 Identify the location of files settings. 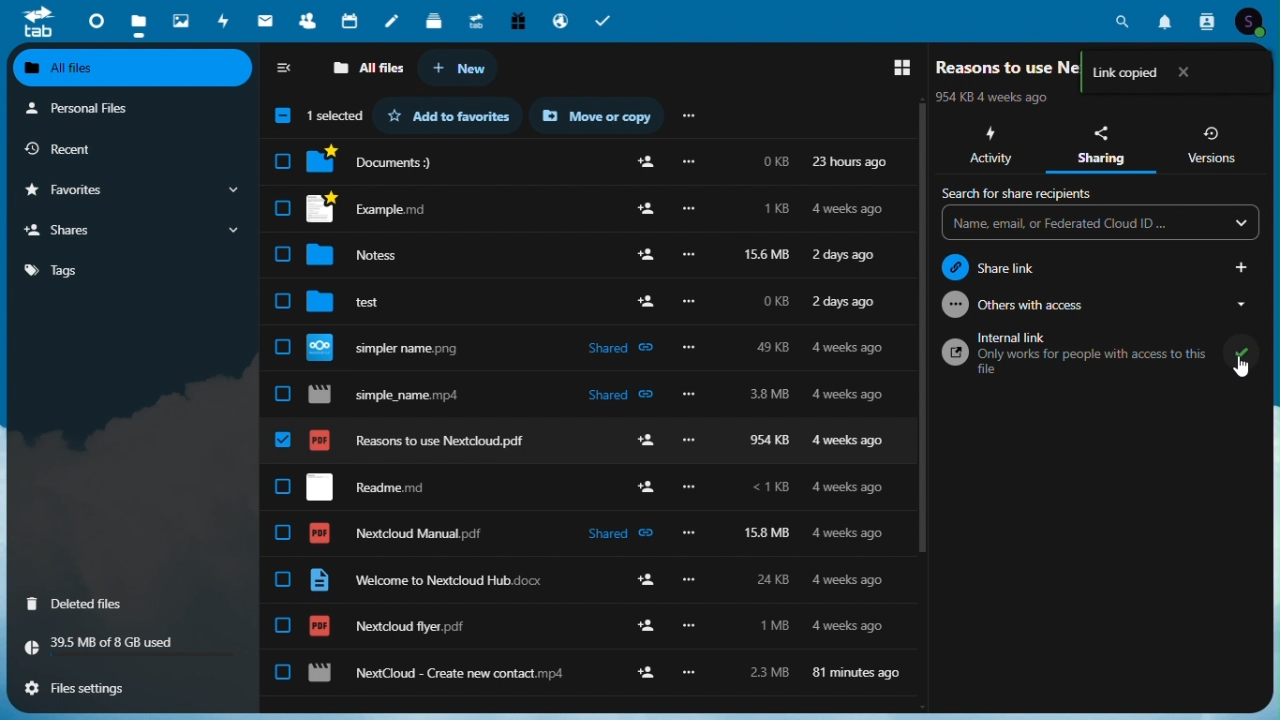
(133, 687).